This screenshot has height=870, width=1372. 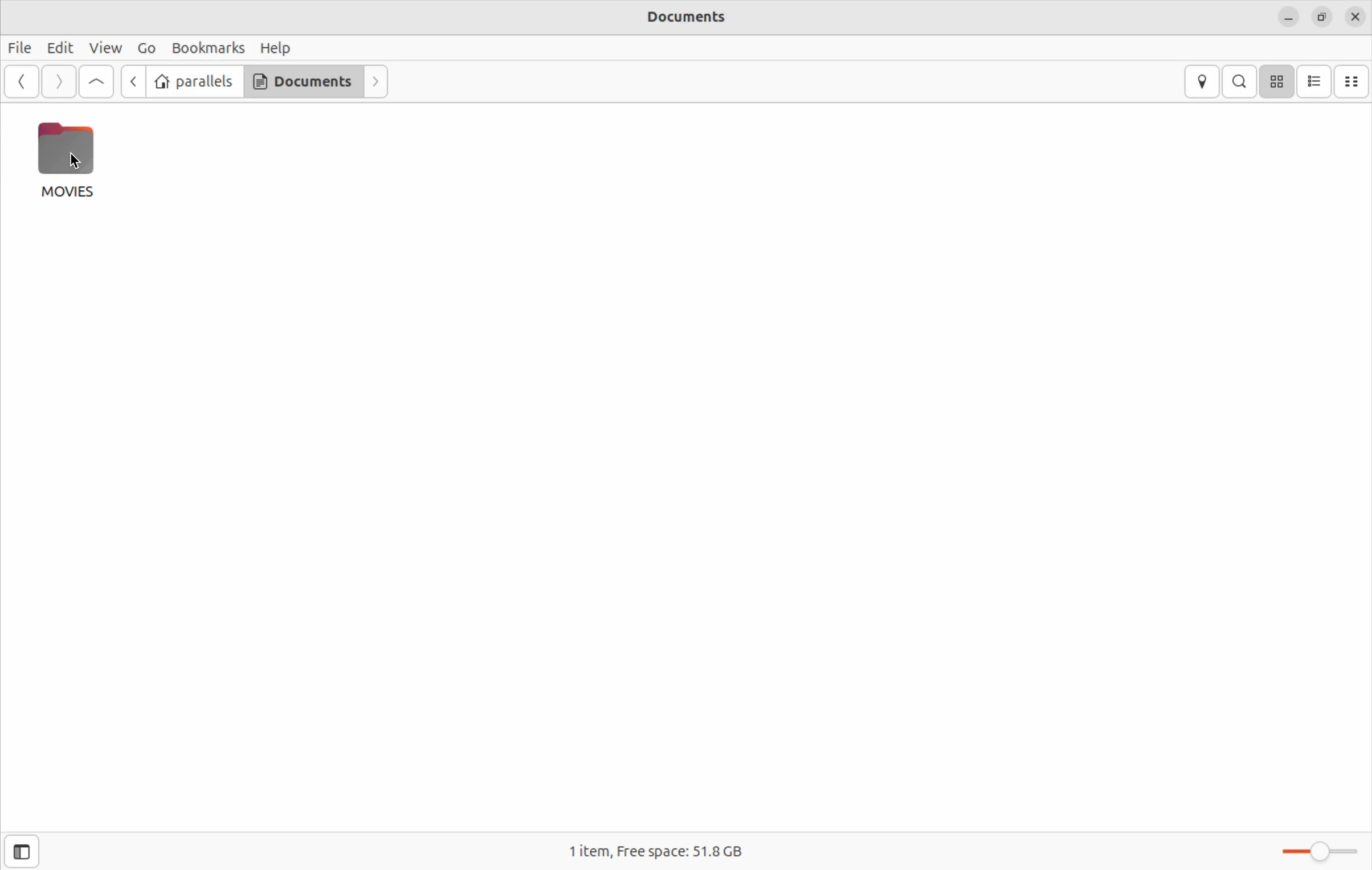 I want to click on icon view, so click(x=1277, y=81).